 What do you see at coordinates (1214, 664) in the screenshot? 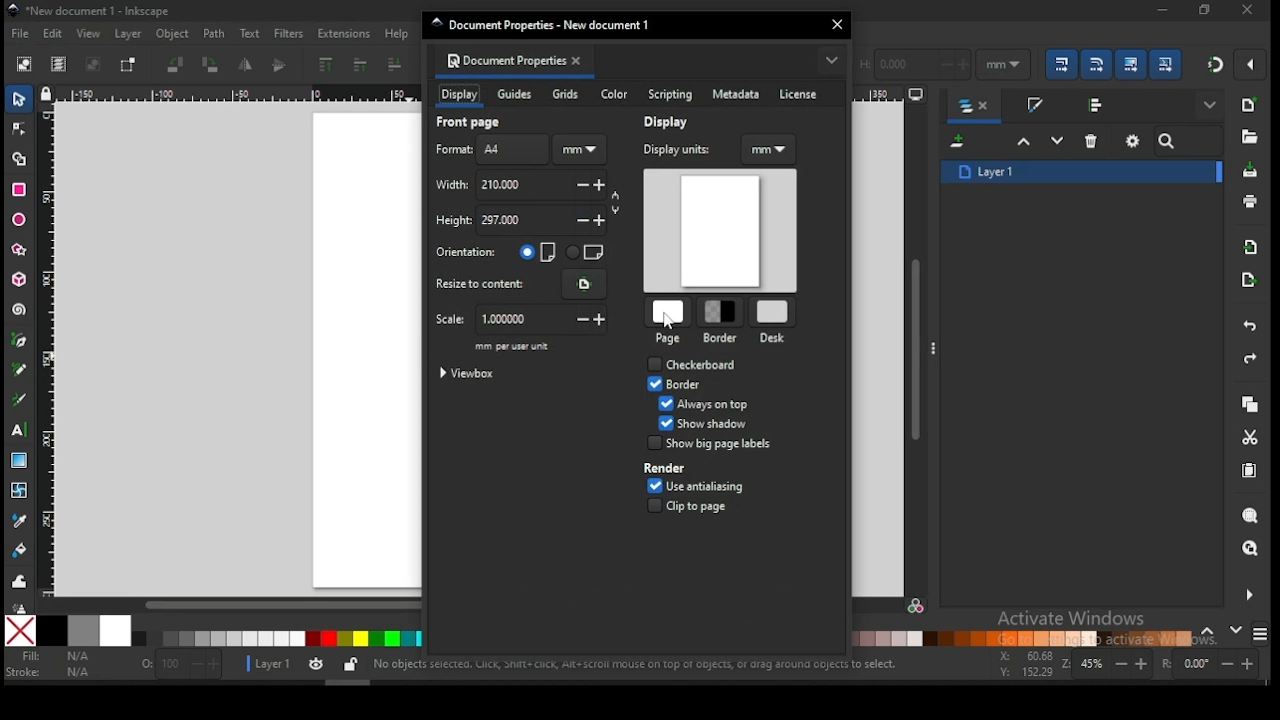
I see `rotation` at bounding box center [1214, 664].